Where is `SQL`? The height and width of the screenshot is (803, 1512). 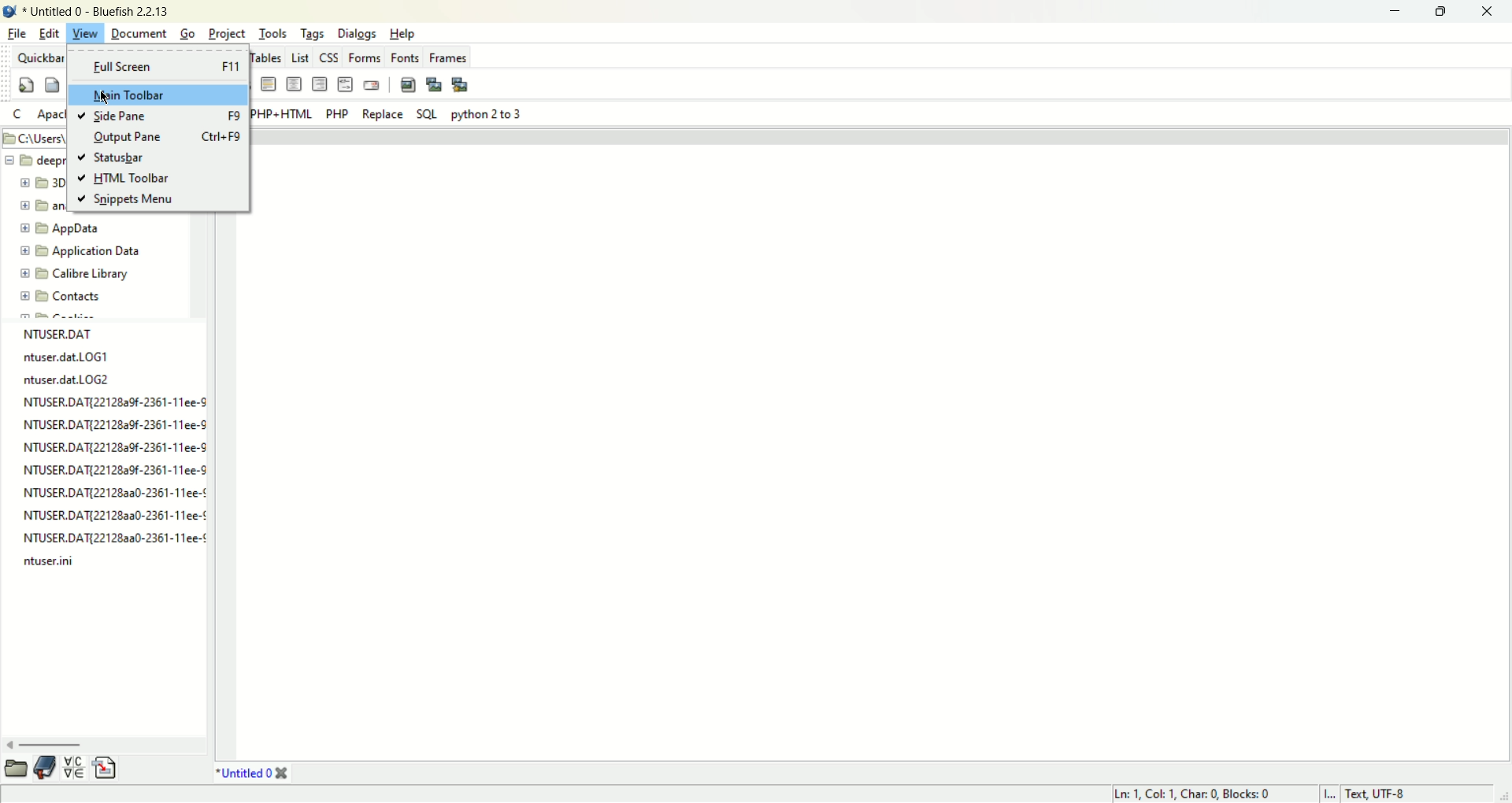
SQL is located at coordinates (427, 114).